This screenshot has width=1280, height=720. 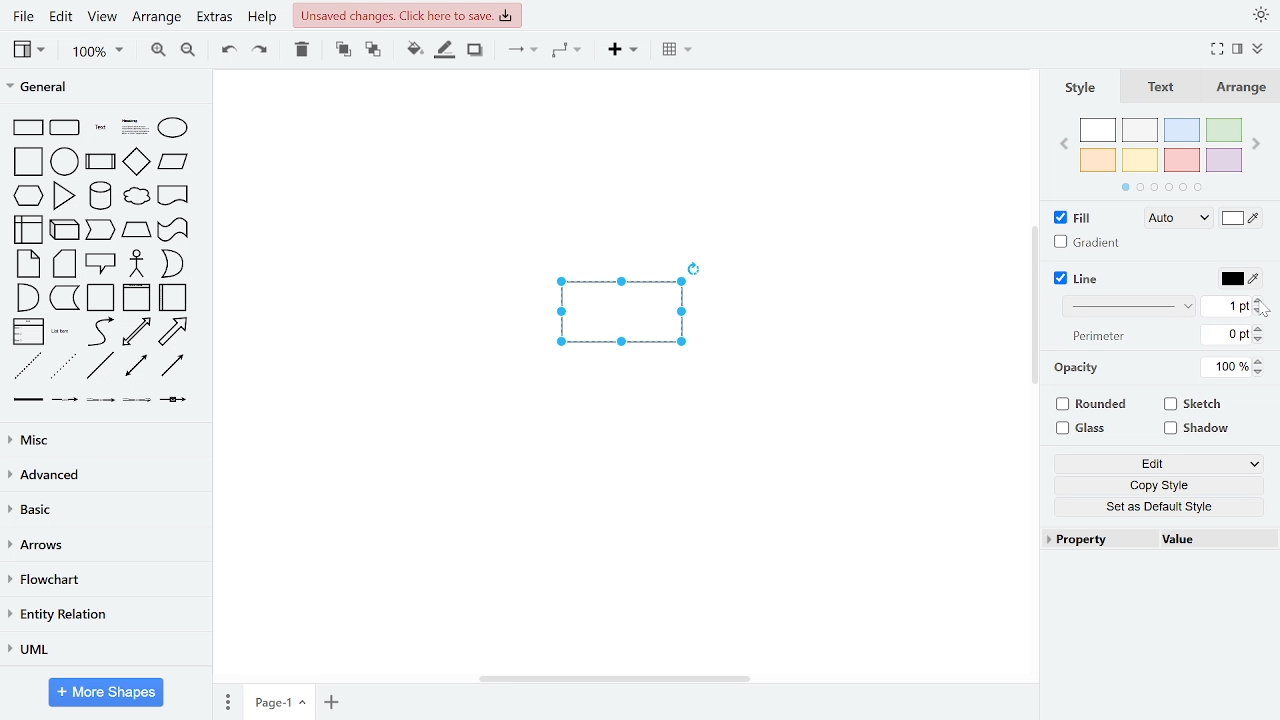 What do you see at coordinates (64, 230) in the screenshot?
I see `general shapes` at bounding box center [64, 230].